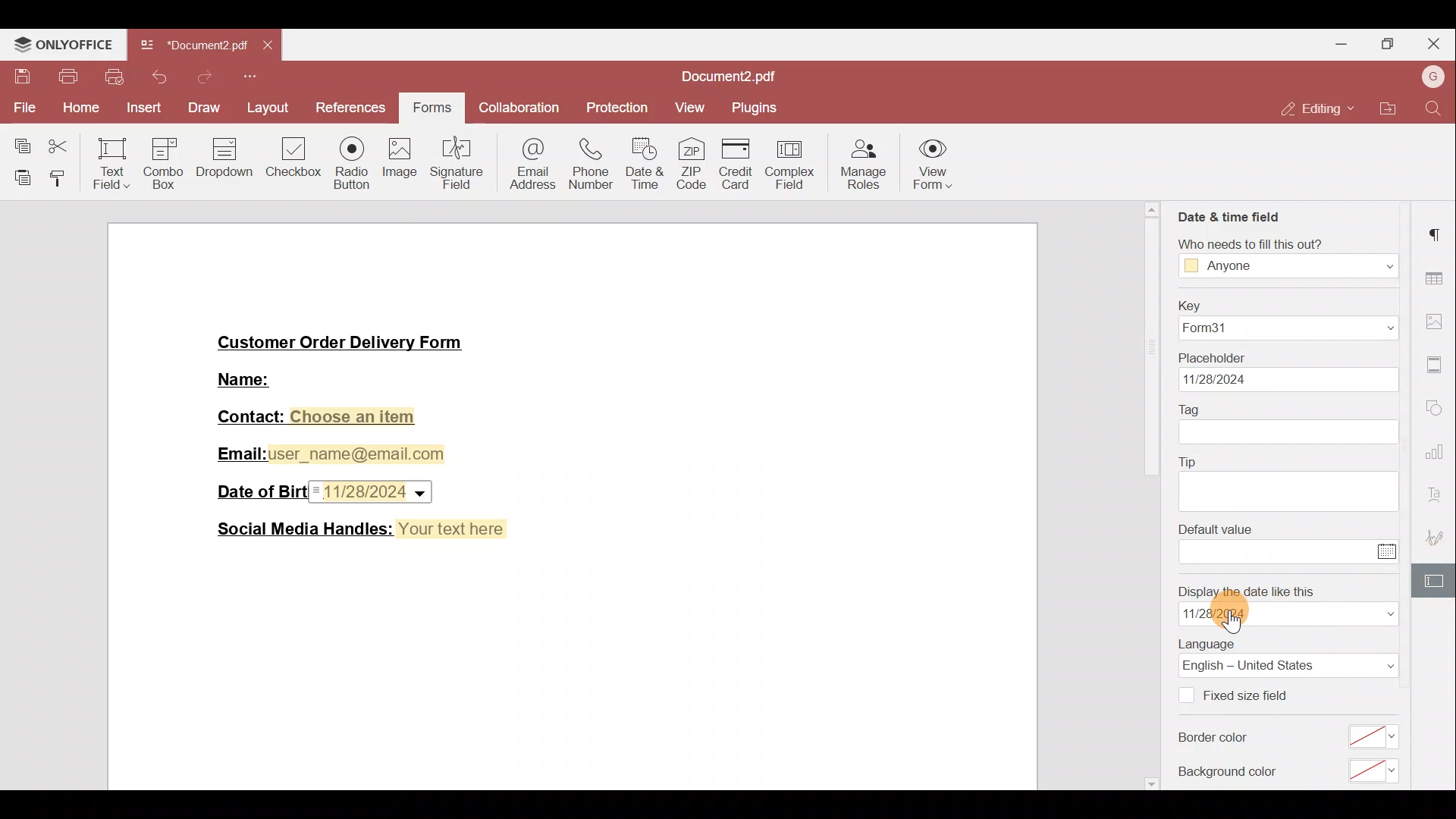 The width and height of the screenshot is (1456, 819). I want to click on Signature settings, so click(1438, 538).